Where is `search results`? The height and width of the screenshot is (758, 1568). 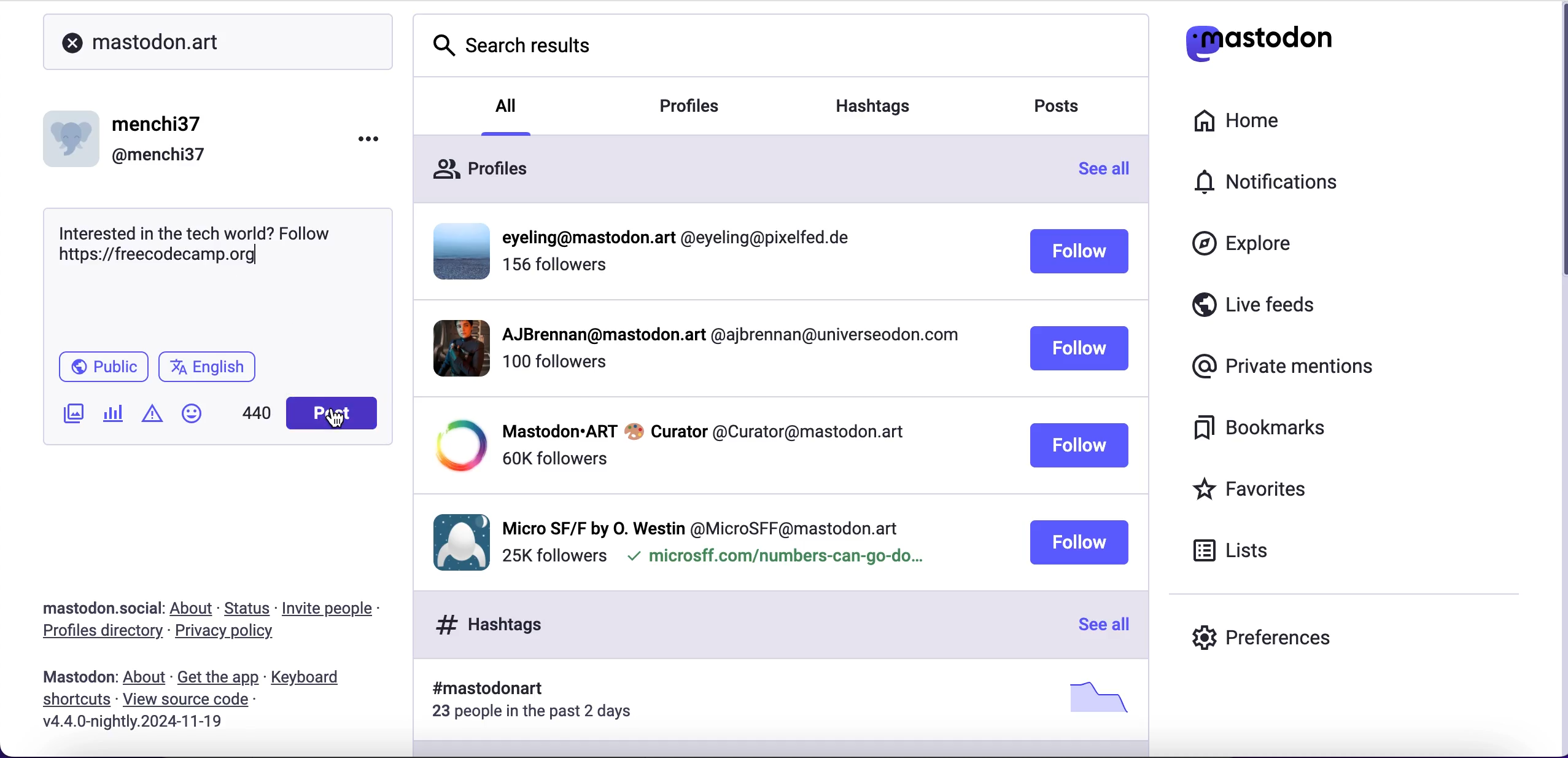 search results is located at coordinates (782, 47).